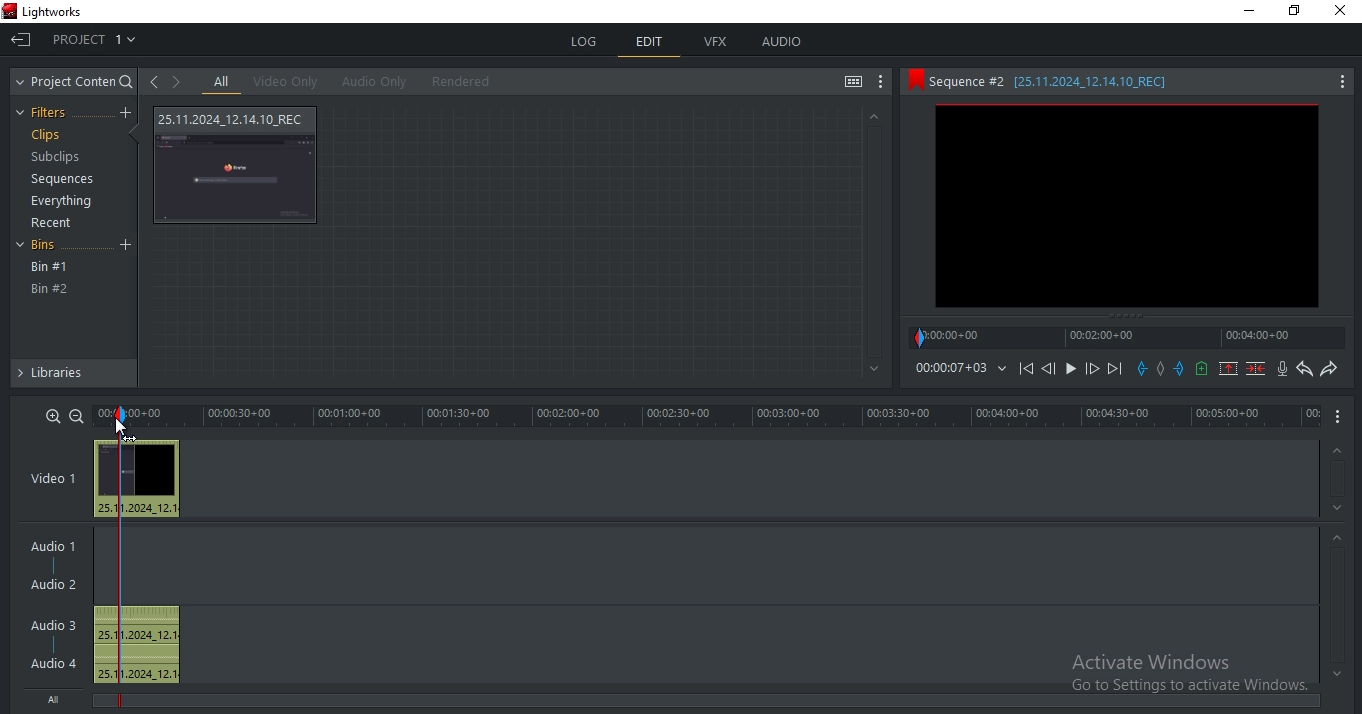 The width and height of the screenshot is (1362, 714). What do you see at coordinates (76, 415) in the screenshot?
I see `zoom out` at bounding box center [76, 415].